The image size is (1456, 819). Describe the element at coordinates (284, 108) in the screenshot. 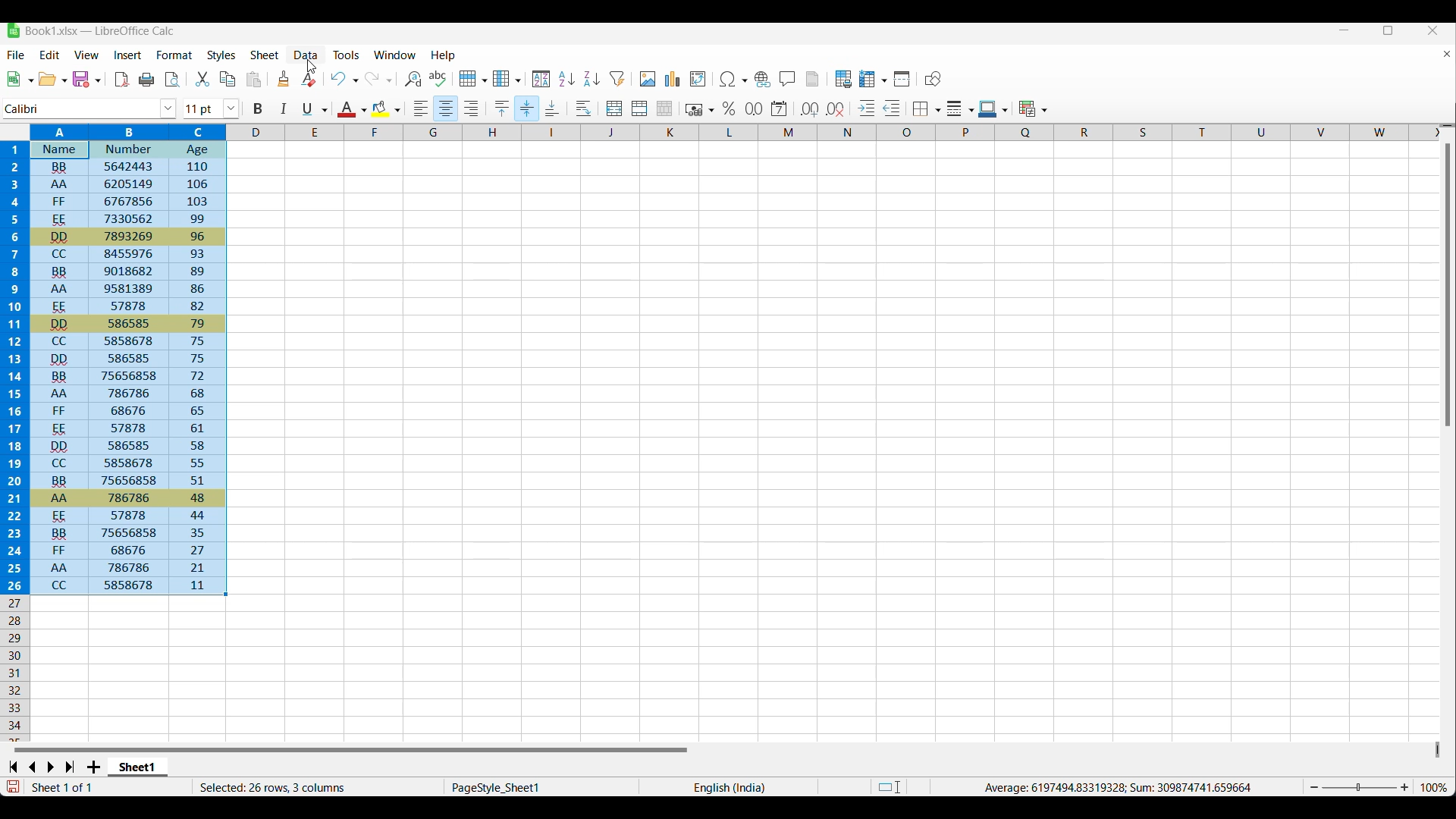

I see `Italic` at that location.